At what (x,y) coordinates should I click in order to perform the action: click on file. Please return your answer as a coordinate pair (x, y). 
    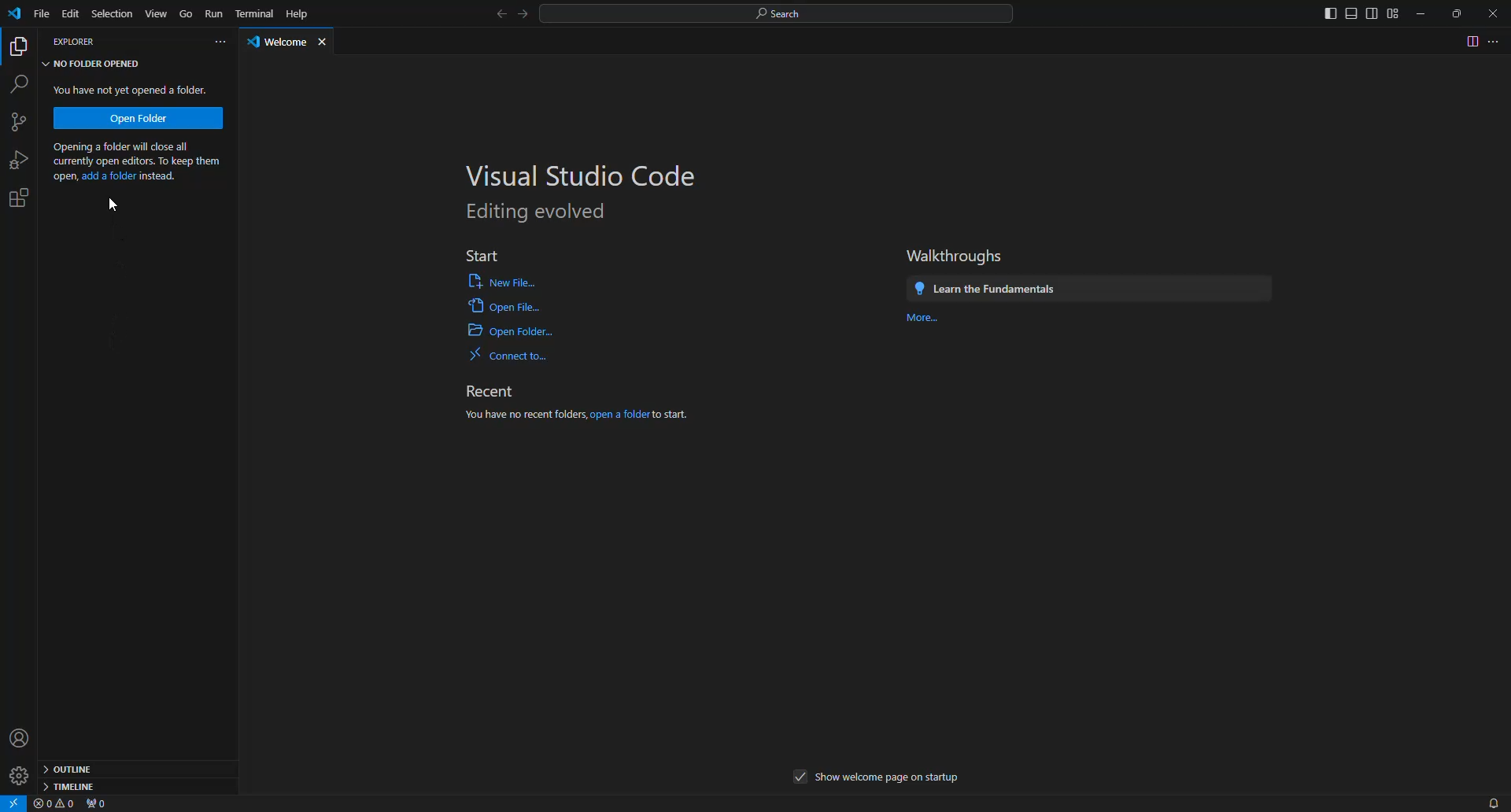
    Looking at the image, I should click on (42, 14).